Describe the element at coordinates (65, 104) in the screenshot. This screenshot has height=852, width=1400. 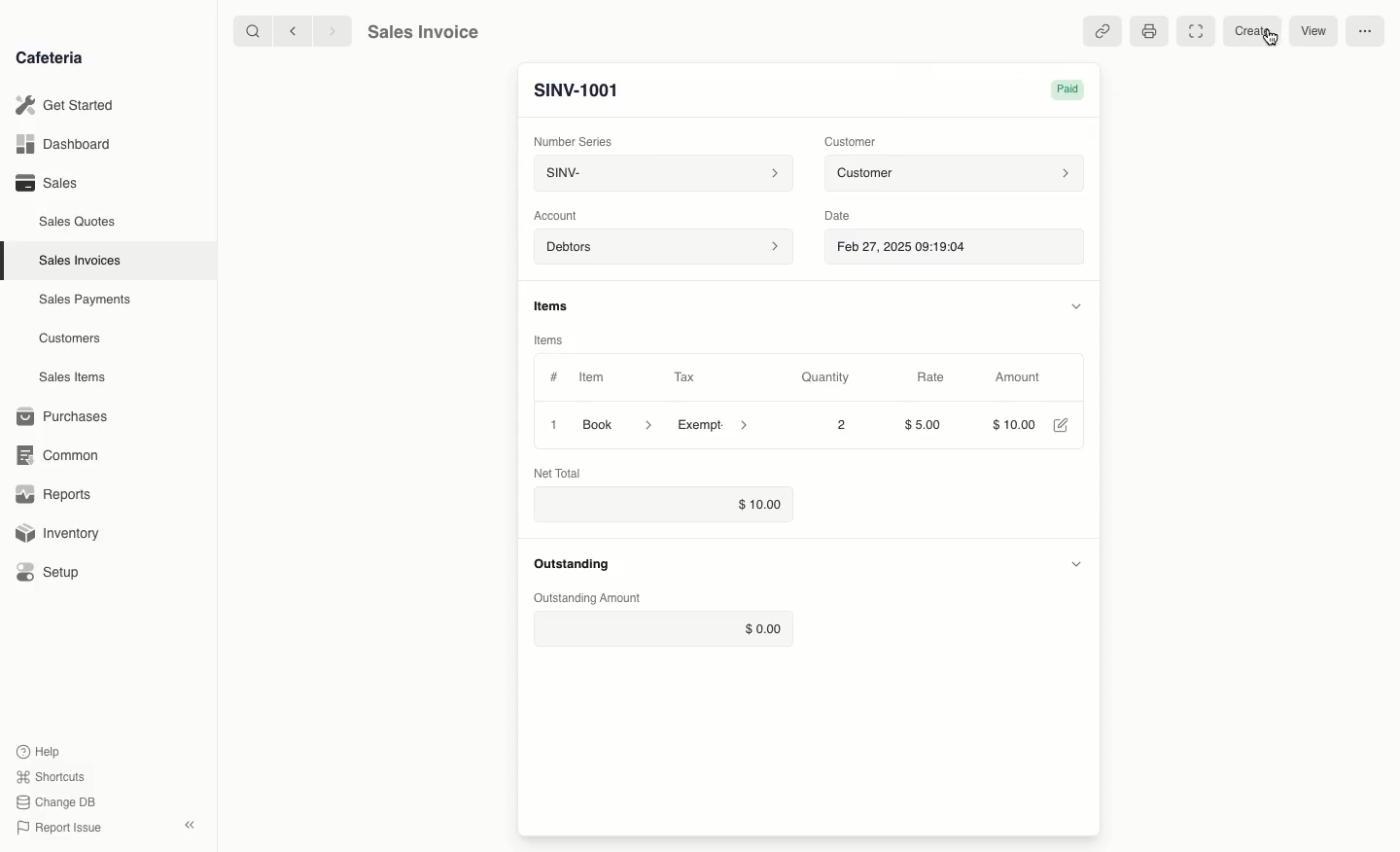
I see `Get Started` at that location.